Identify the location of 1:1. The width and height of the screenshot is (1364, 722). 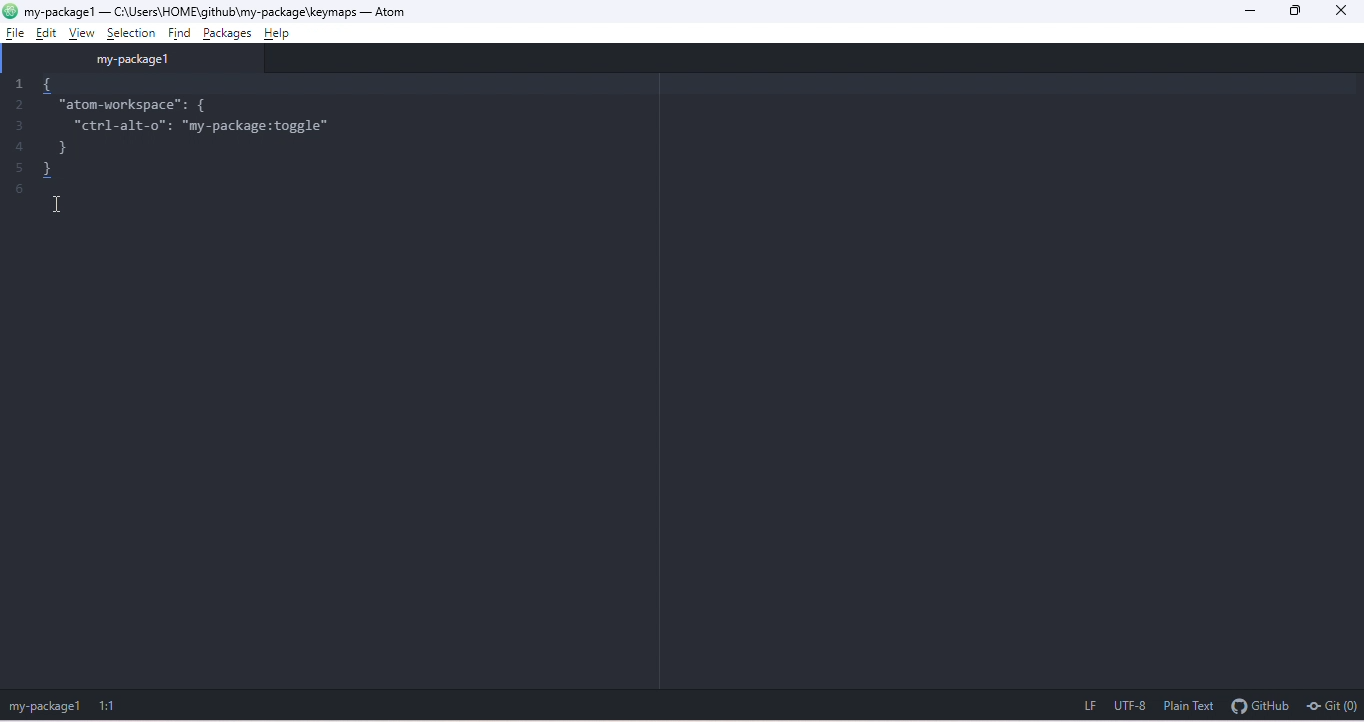
(124, 704).